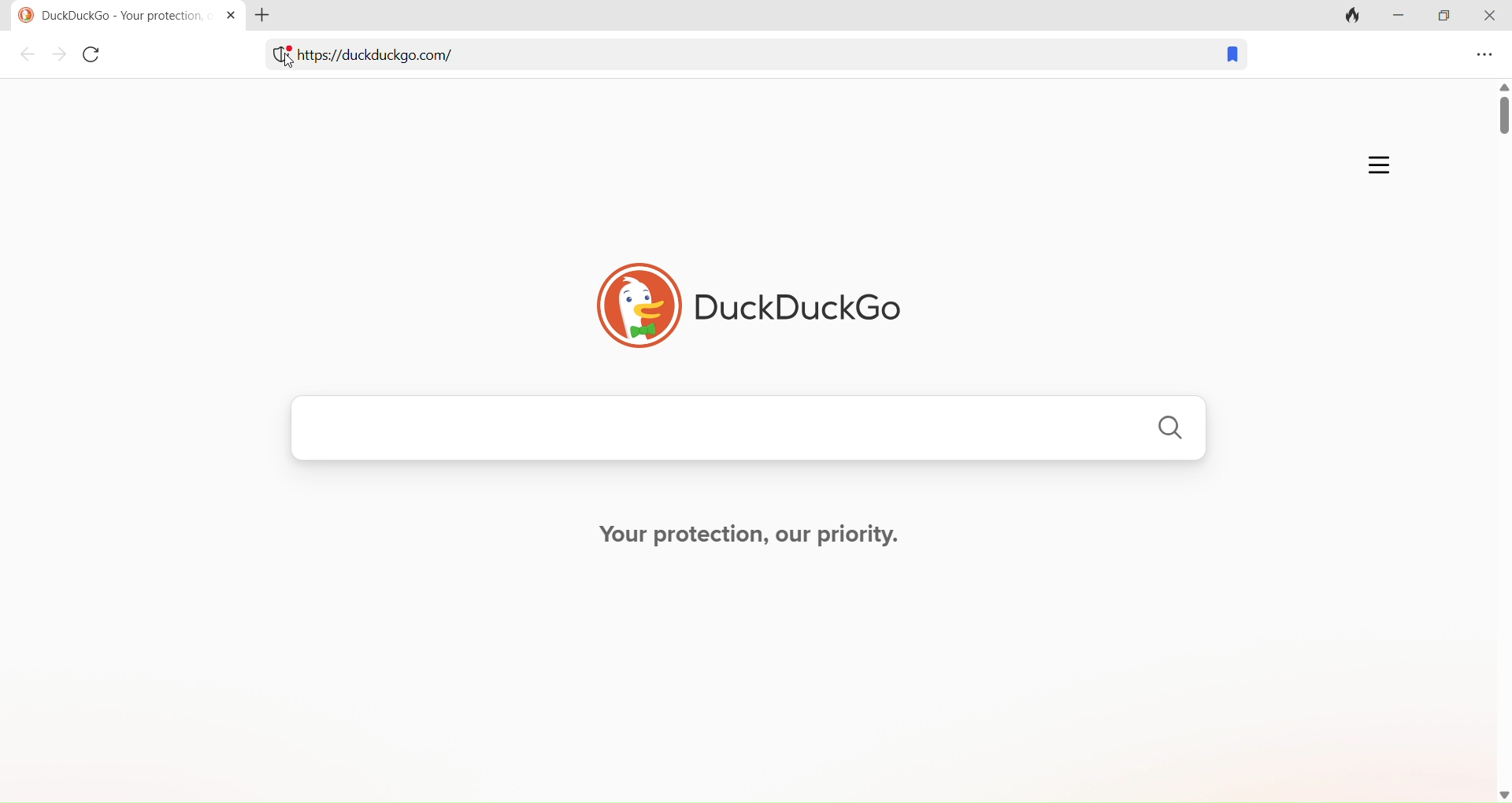 This screenshot has height=803, width=1512. Describe the element at coordinates (745, 298) in the screenshot. I see `DuckDuckGo ` at that location.